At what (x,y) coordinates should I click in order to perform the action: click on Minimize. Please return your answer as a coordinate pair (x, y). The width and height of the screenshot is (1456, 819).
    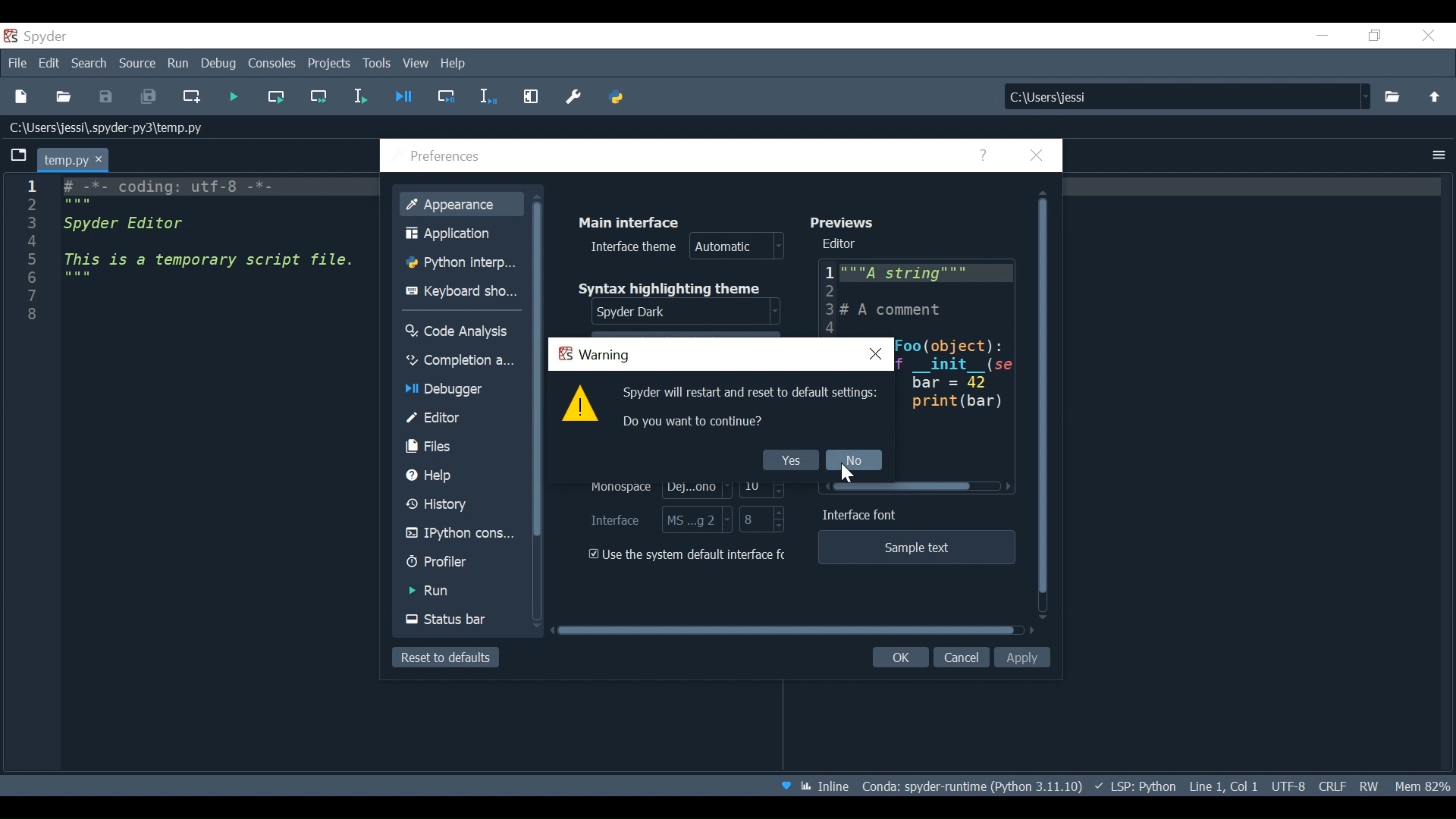
    Looking at the image, I should click on (1322, 36).